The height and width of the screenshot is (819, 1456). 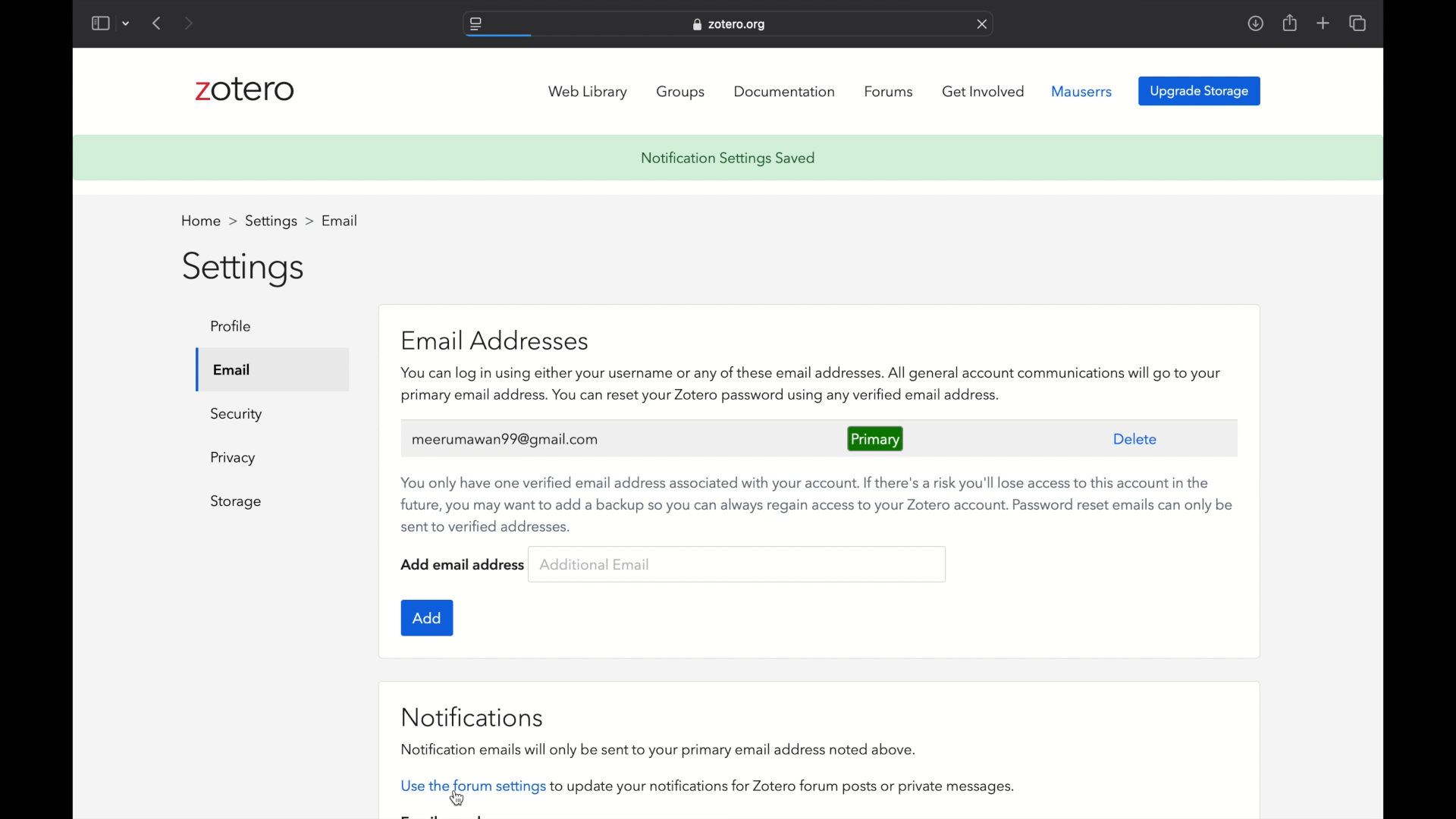 I want to click on user's email address, so click(x=505, y=439).